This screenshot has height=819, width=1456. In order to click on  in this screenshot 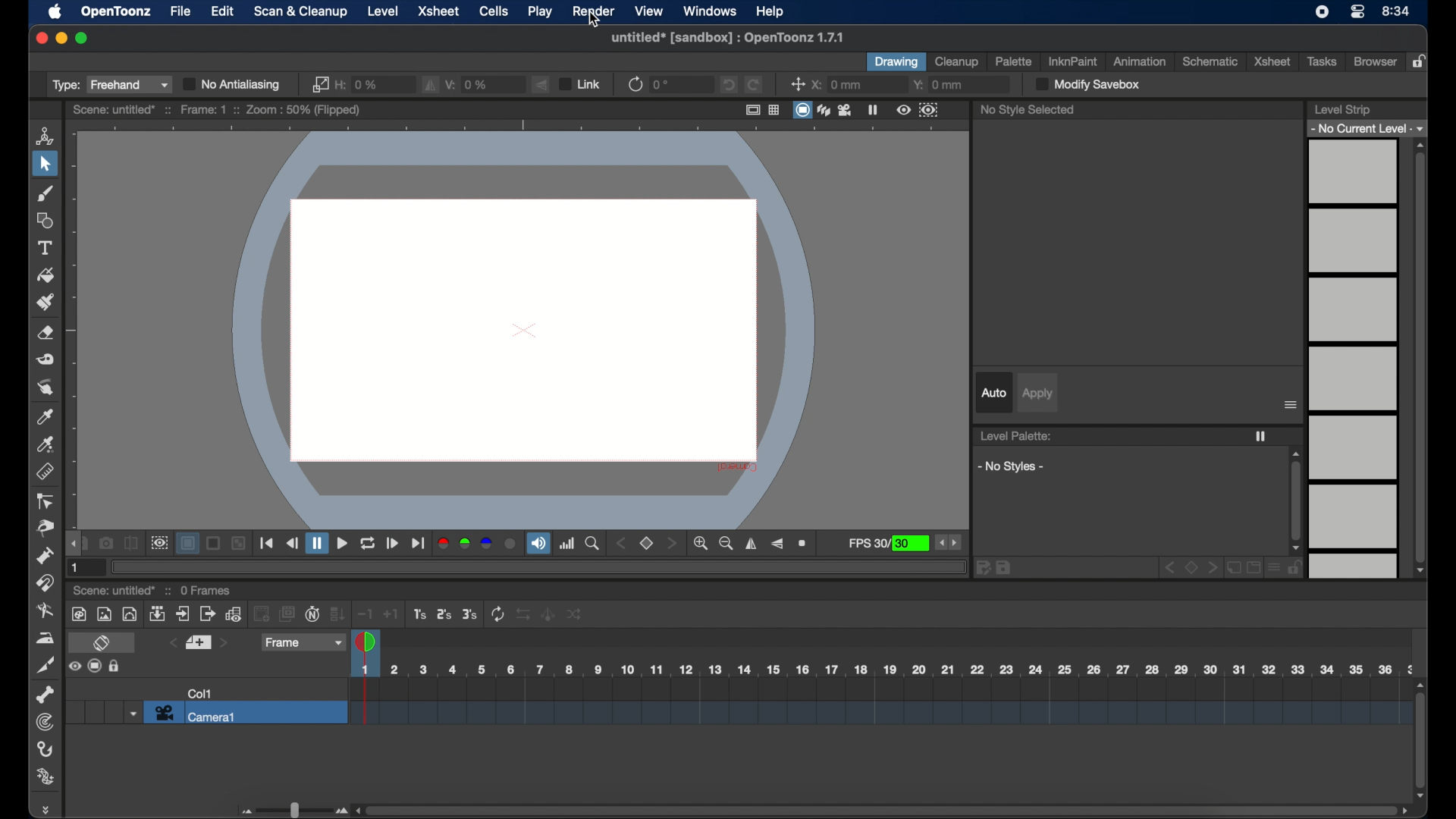, I will do `click(1193, 568)`.